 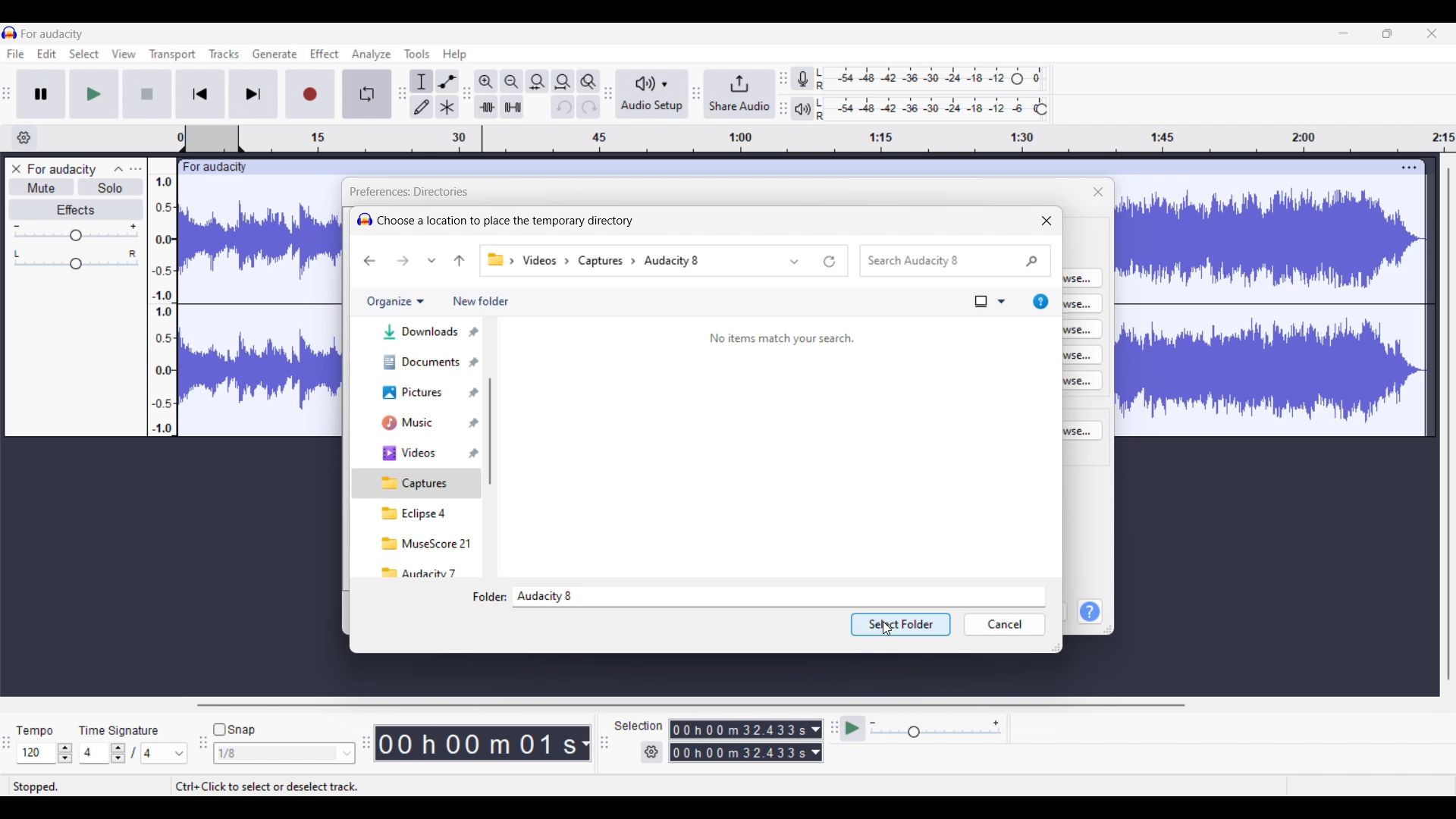 I want to click on Transport menu, so click(x=173, y=55).